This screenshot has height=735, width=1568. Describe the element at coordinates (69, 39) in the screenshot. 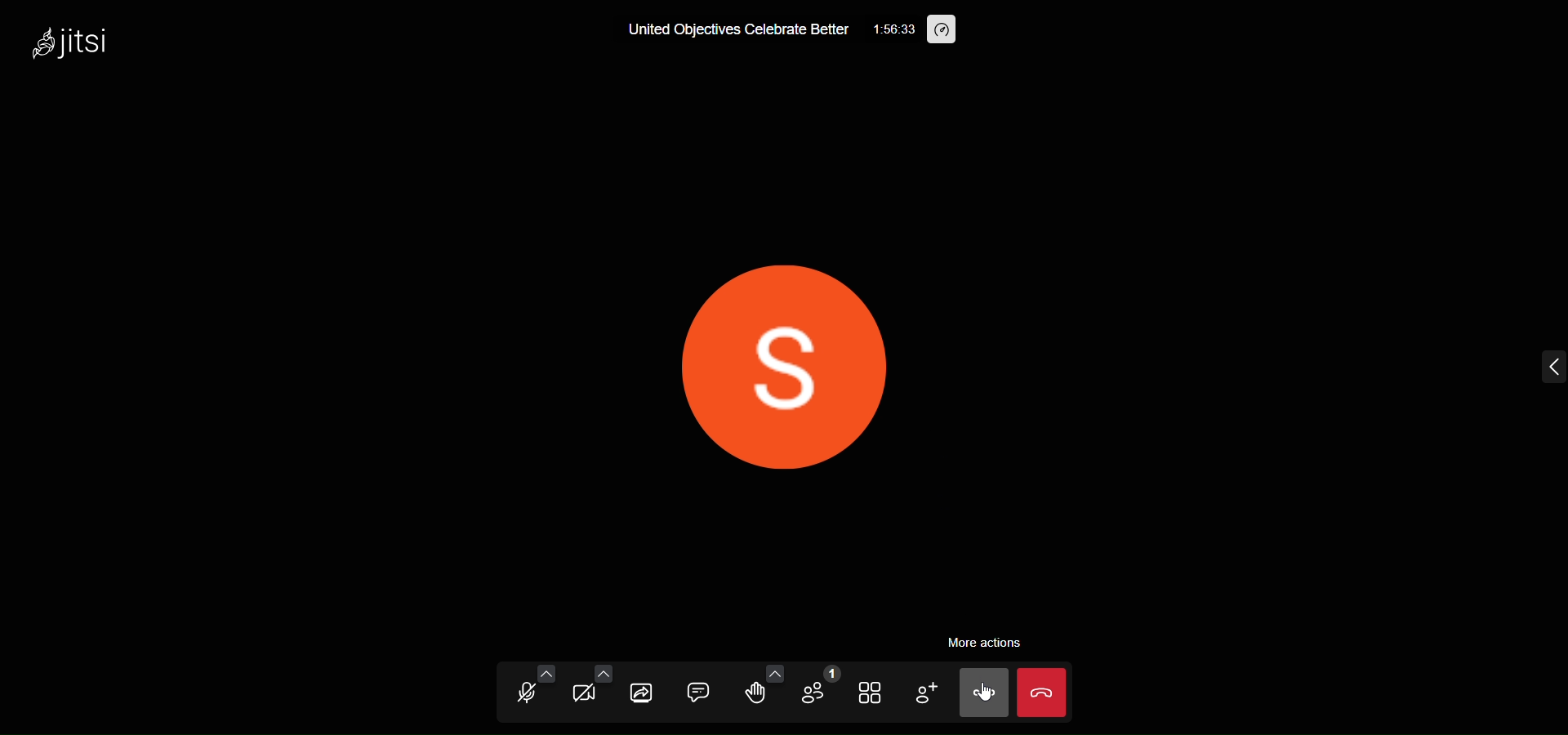

I see `jitsi` at that location.